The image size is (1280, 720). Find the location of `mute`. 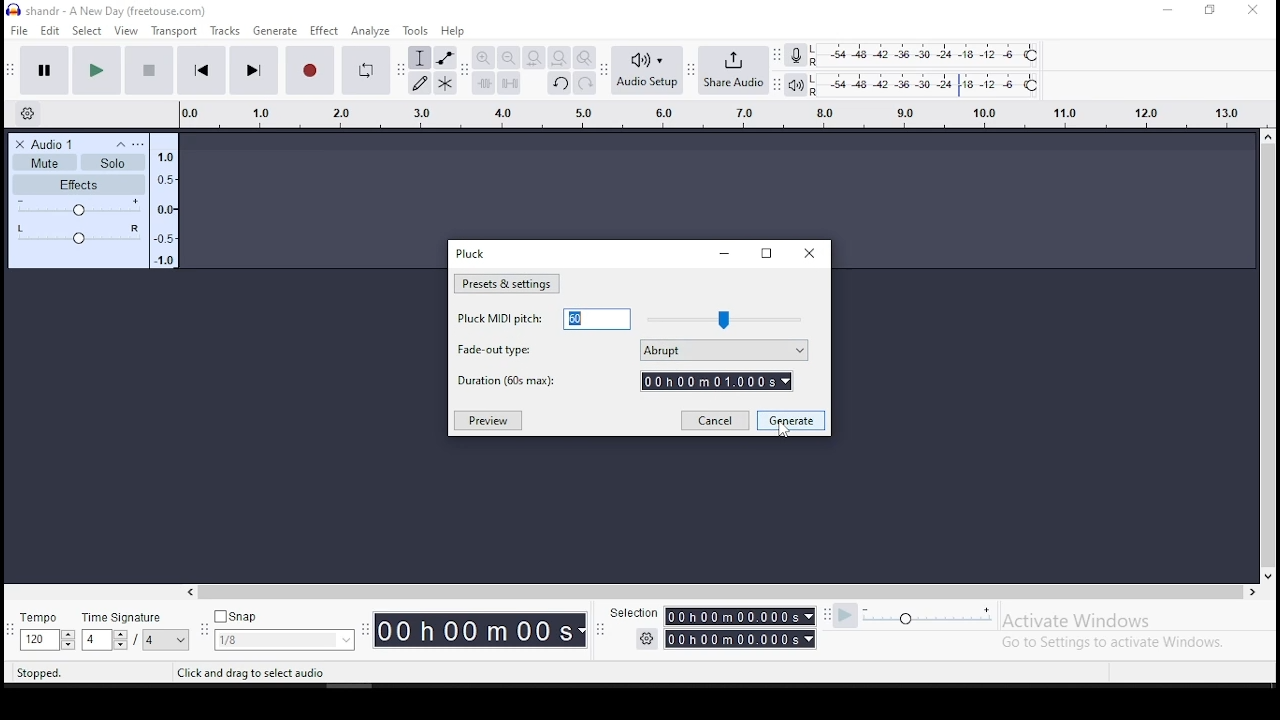

mute is located at coordinates (44, 164).